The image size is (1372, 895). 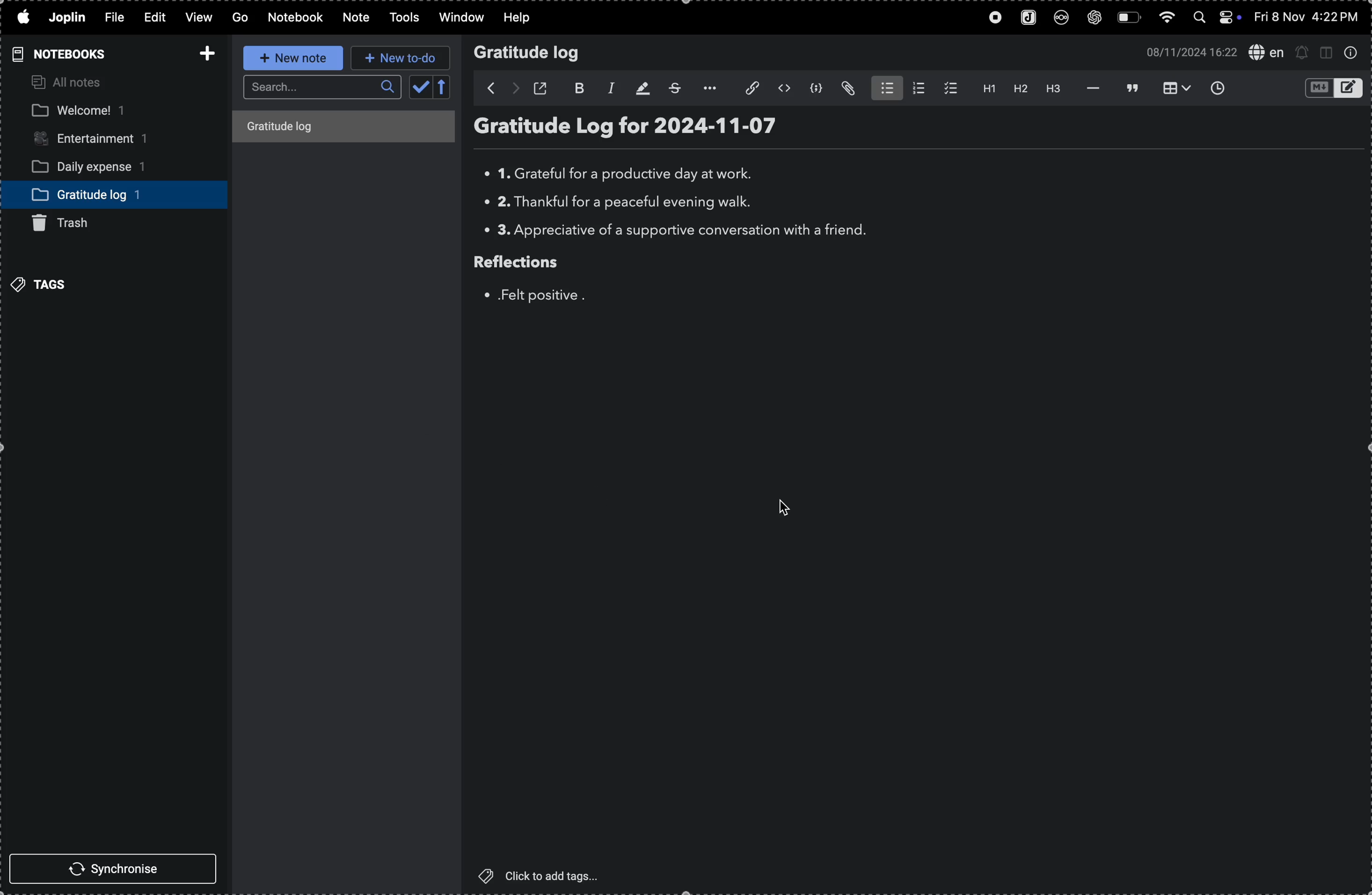 What do you see at coordinates (1130, 88) in the screenshot?
I see `blockquote` at bounding box center [1130, 88].